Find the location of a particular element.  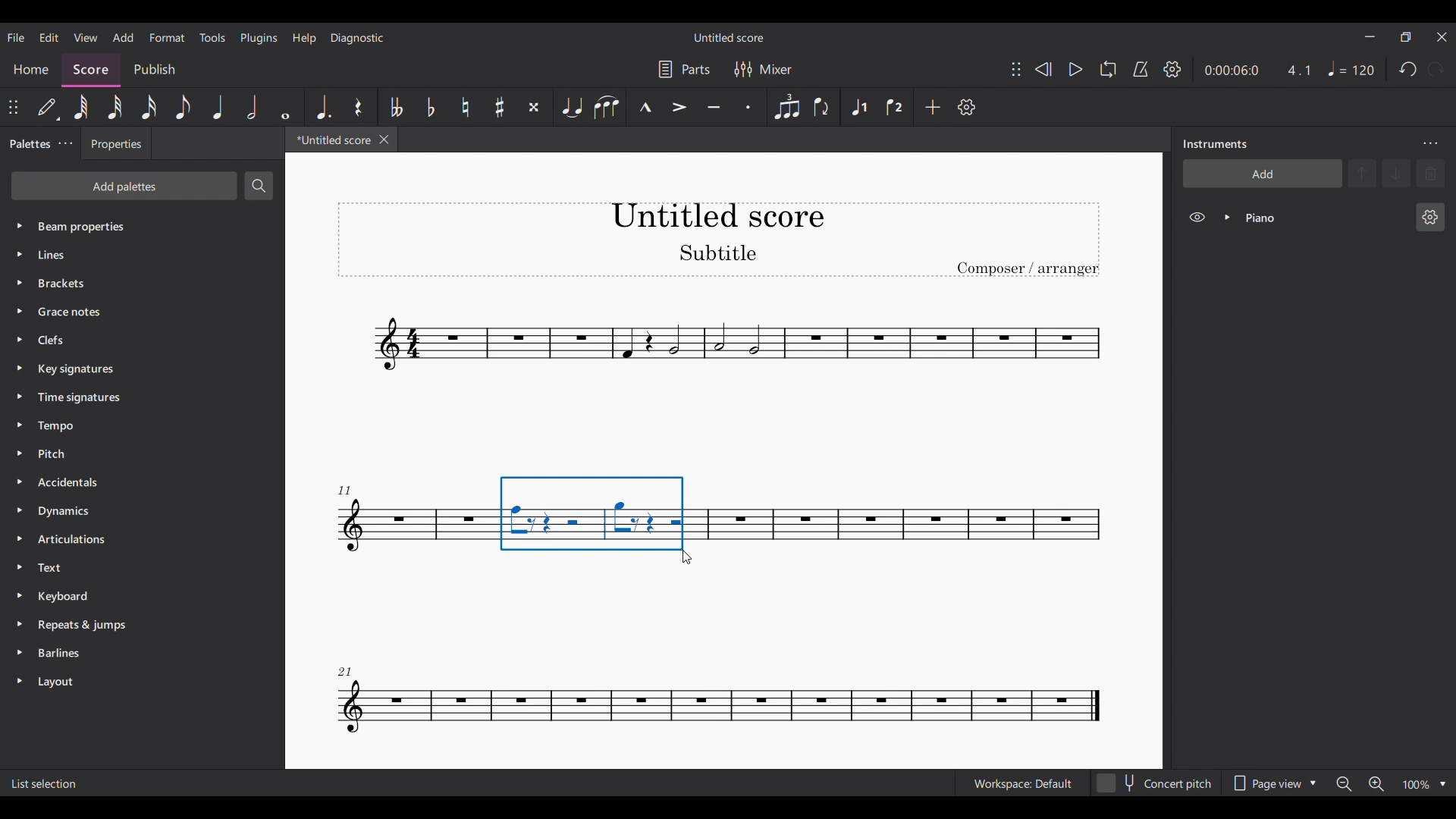

Show/Hide is located at coordinates (1197, 218).